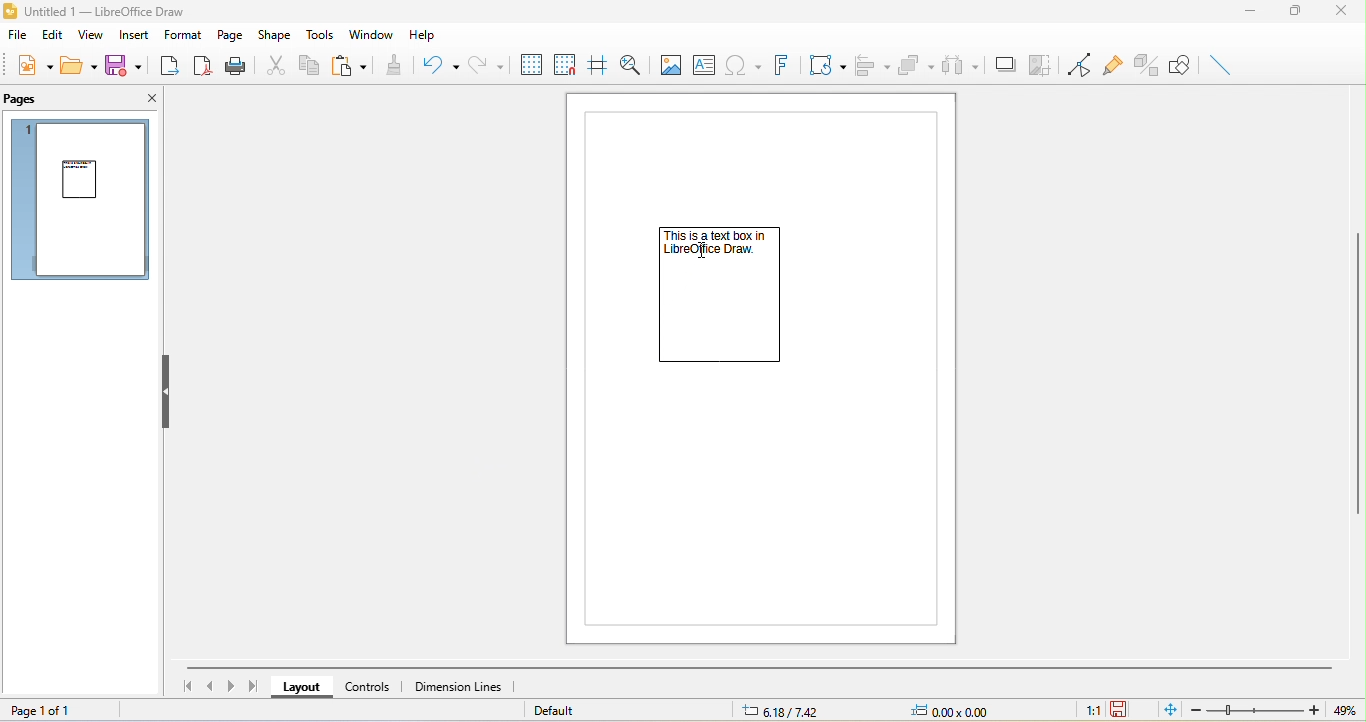 The height and width of the screenshot is (722, 1366). Describe the element at coordinates (53, 36) in the screenshot. I see `edit` at that location.